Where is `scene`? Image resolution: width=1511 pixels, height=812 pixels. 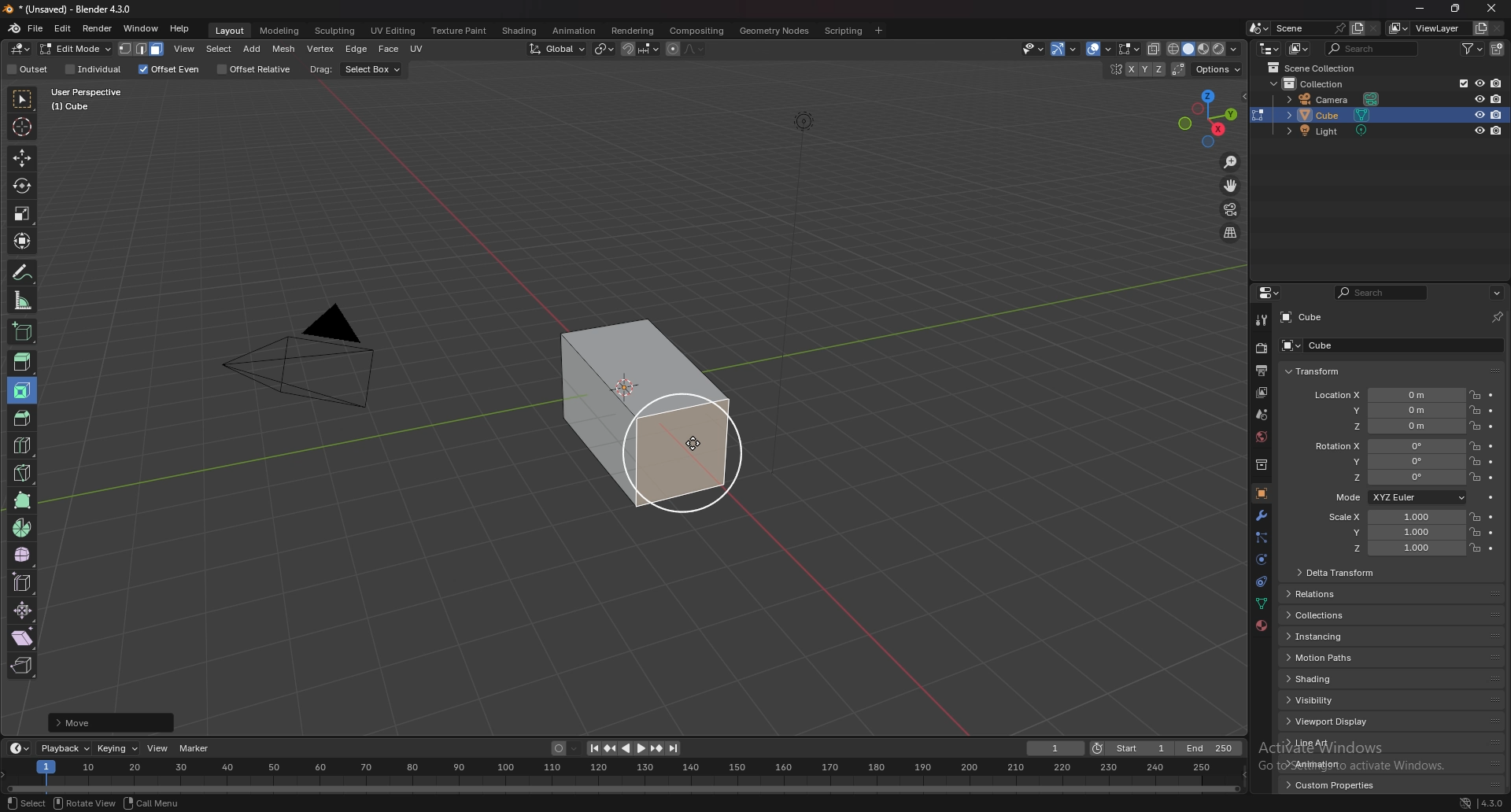 scene is located at coordinates (1309, 28).